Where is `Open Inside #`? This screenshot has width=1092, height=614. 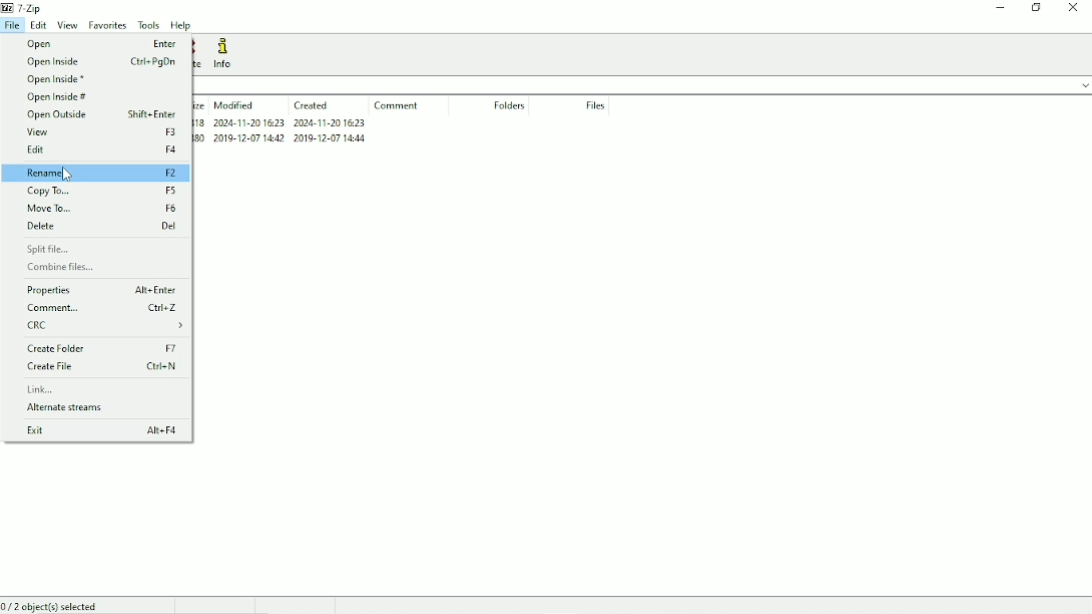
Open Inside # is located at coordinates (58, 98).